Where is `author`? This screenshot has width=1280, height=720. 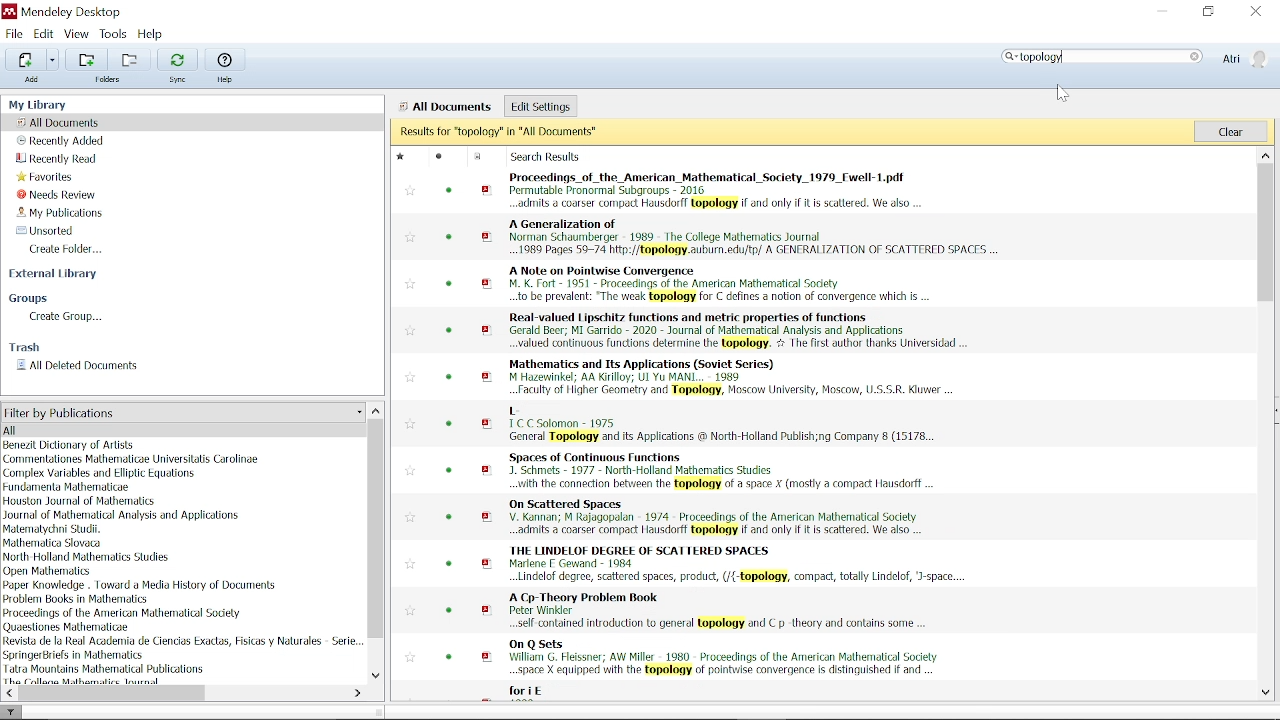 author is located at coordinates (71, 627).